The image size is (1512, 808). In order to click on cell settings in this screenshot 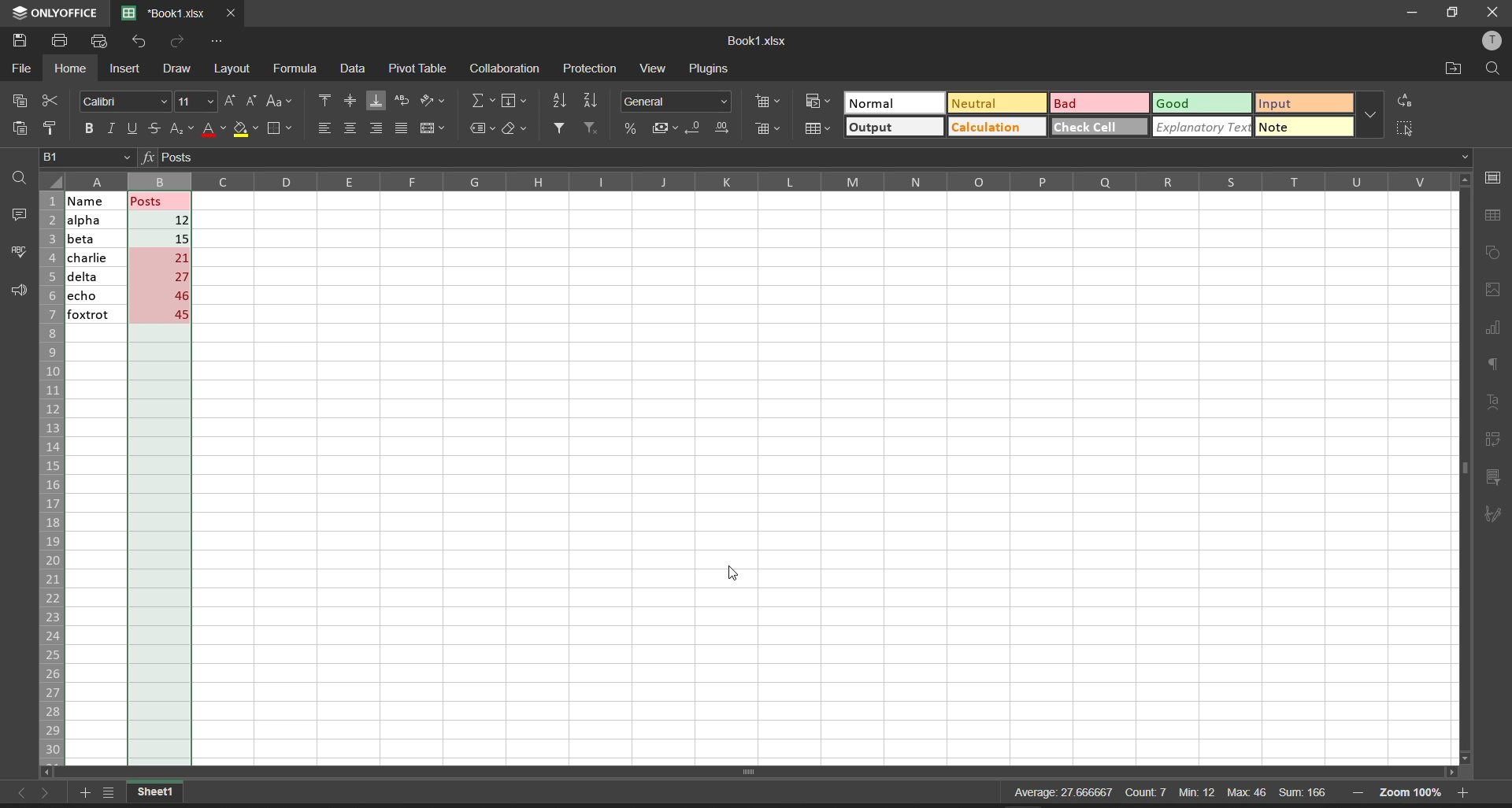, I will do `click(1496, 178)`.